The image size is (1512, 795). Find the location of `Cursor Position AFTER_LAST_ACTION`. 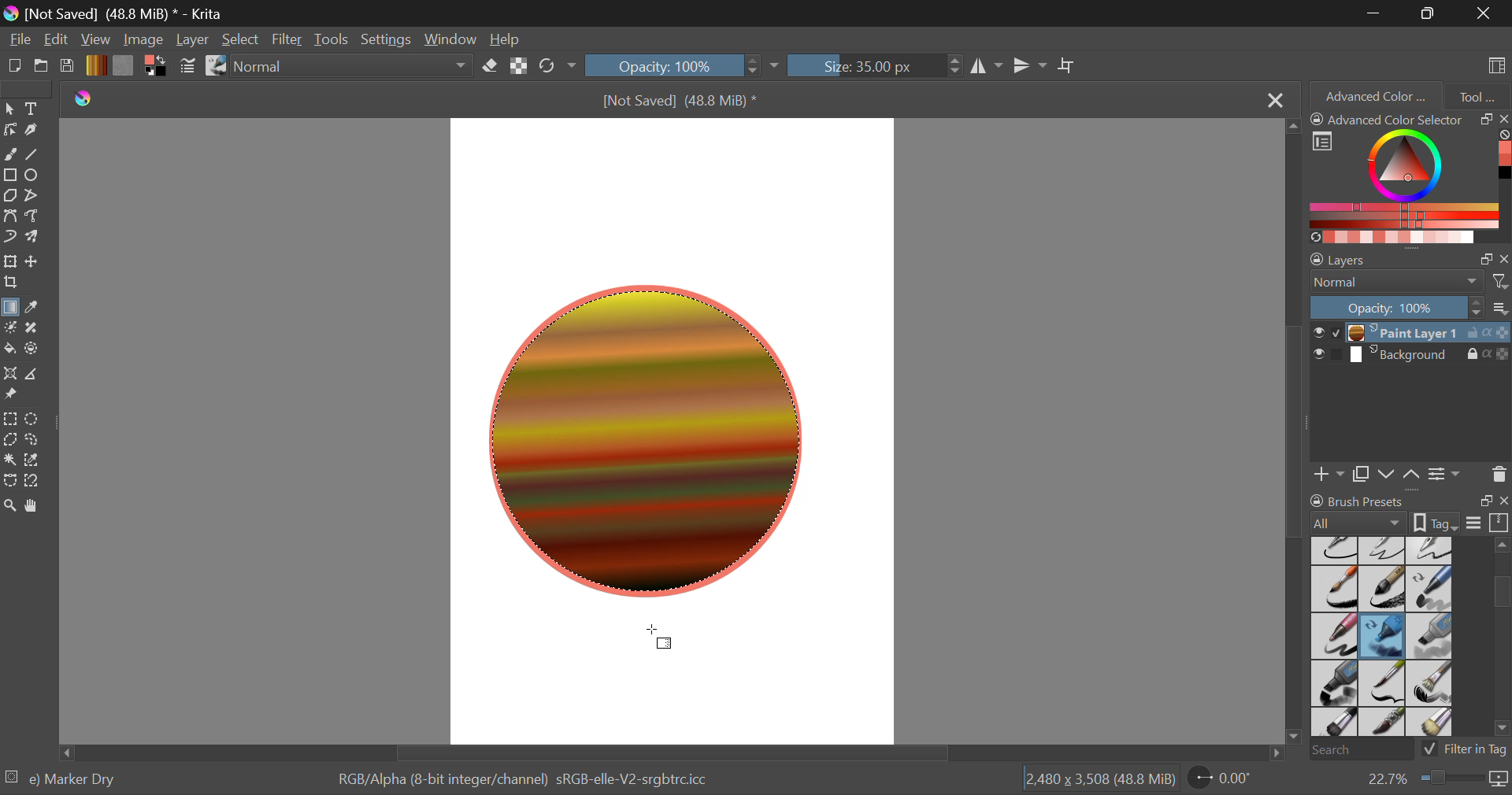

Cursor Position AFTER_LAST_ACTION is located at coordinates (666, 639).